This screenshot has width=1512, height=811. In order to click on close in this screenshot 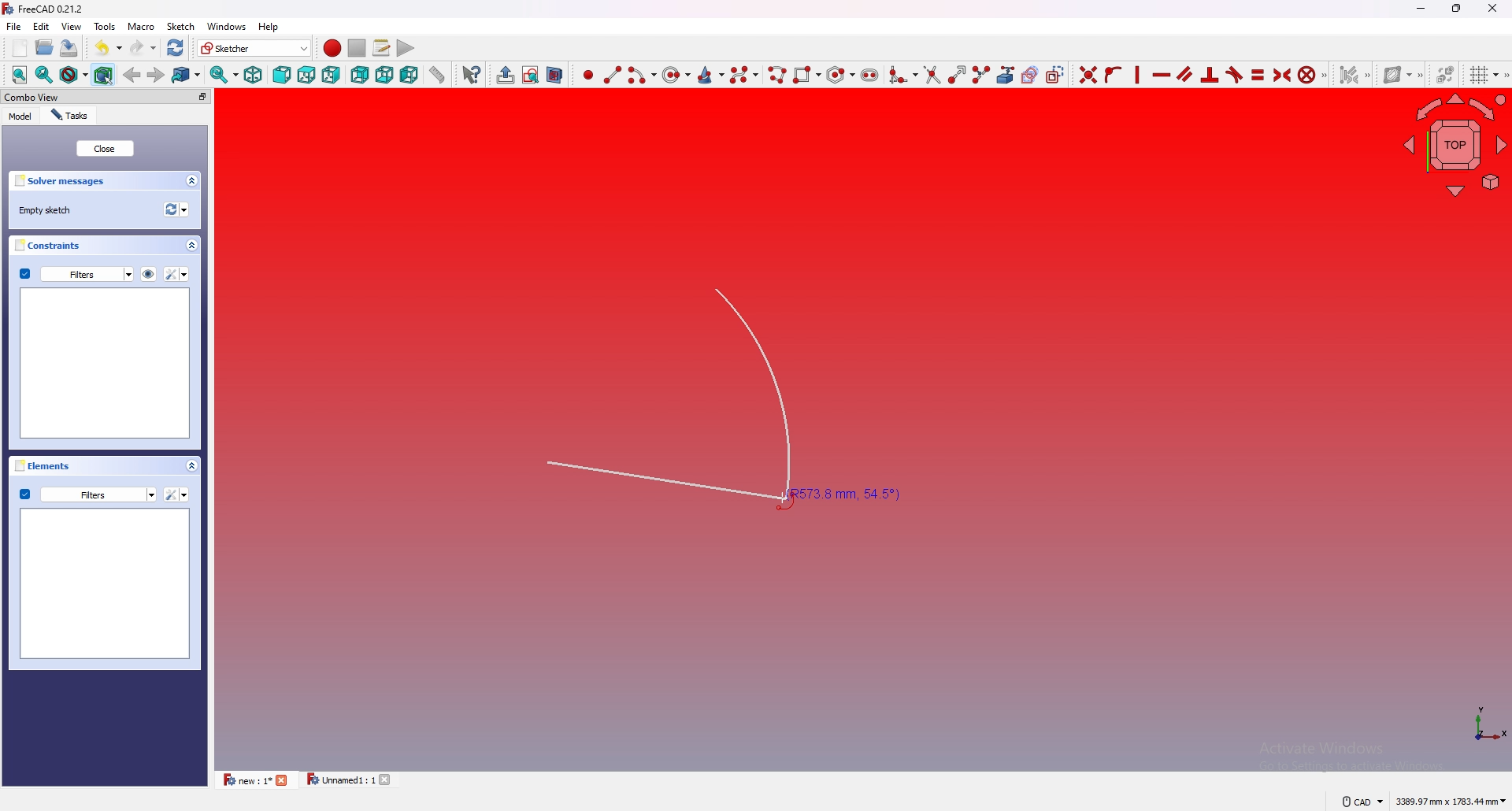, I will do `click(1493, 8)`.